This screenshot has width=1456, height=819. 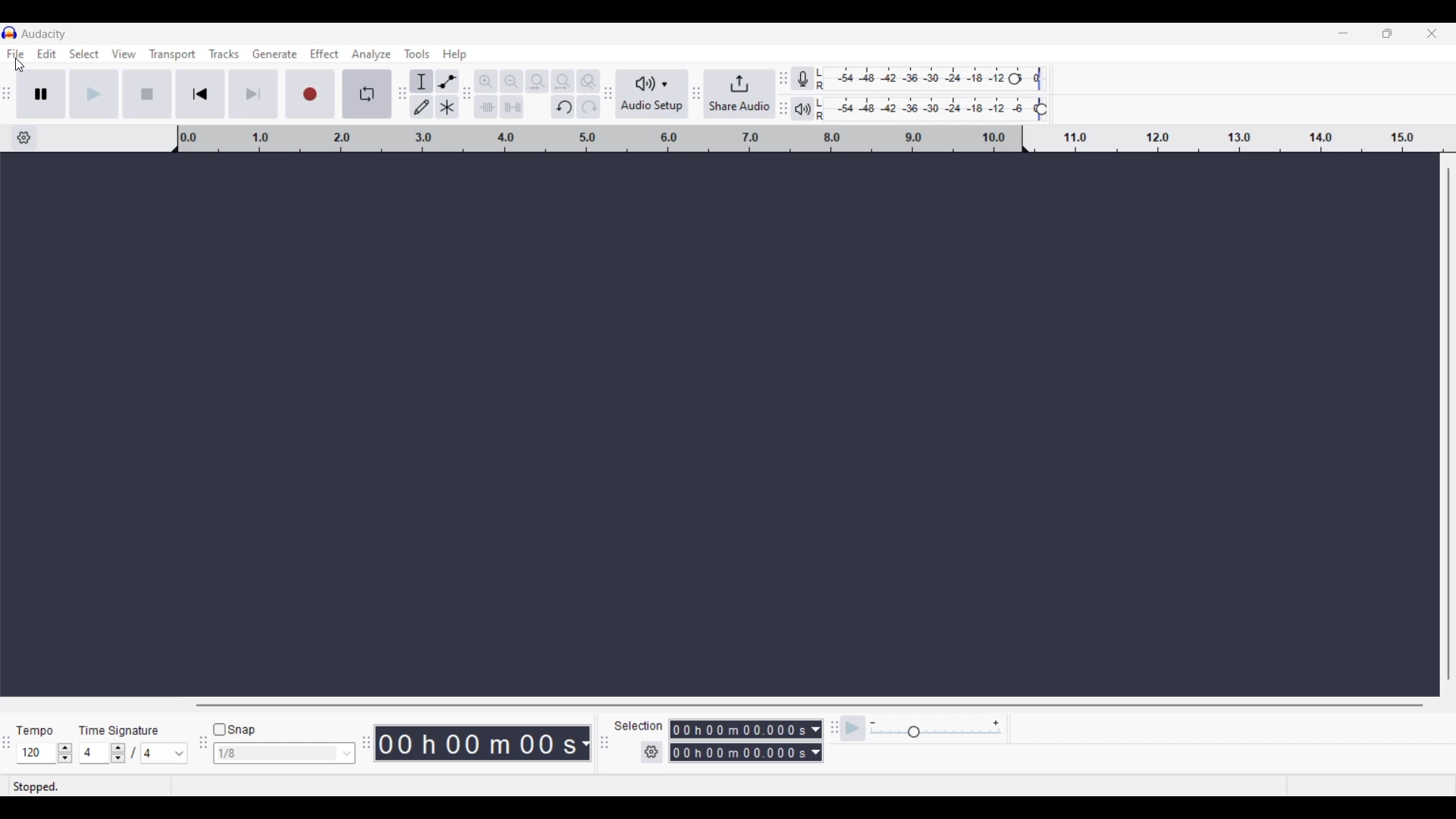 What do you see at coordinates (310, 94) in the screenshot?
I see `Record/Record new track` at bounding box center [310, 94].